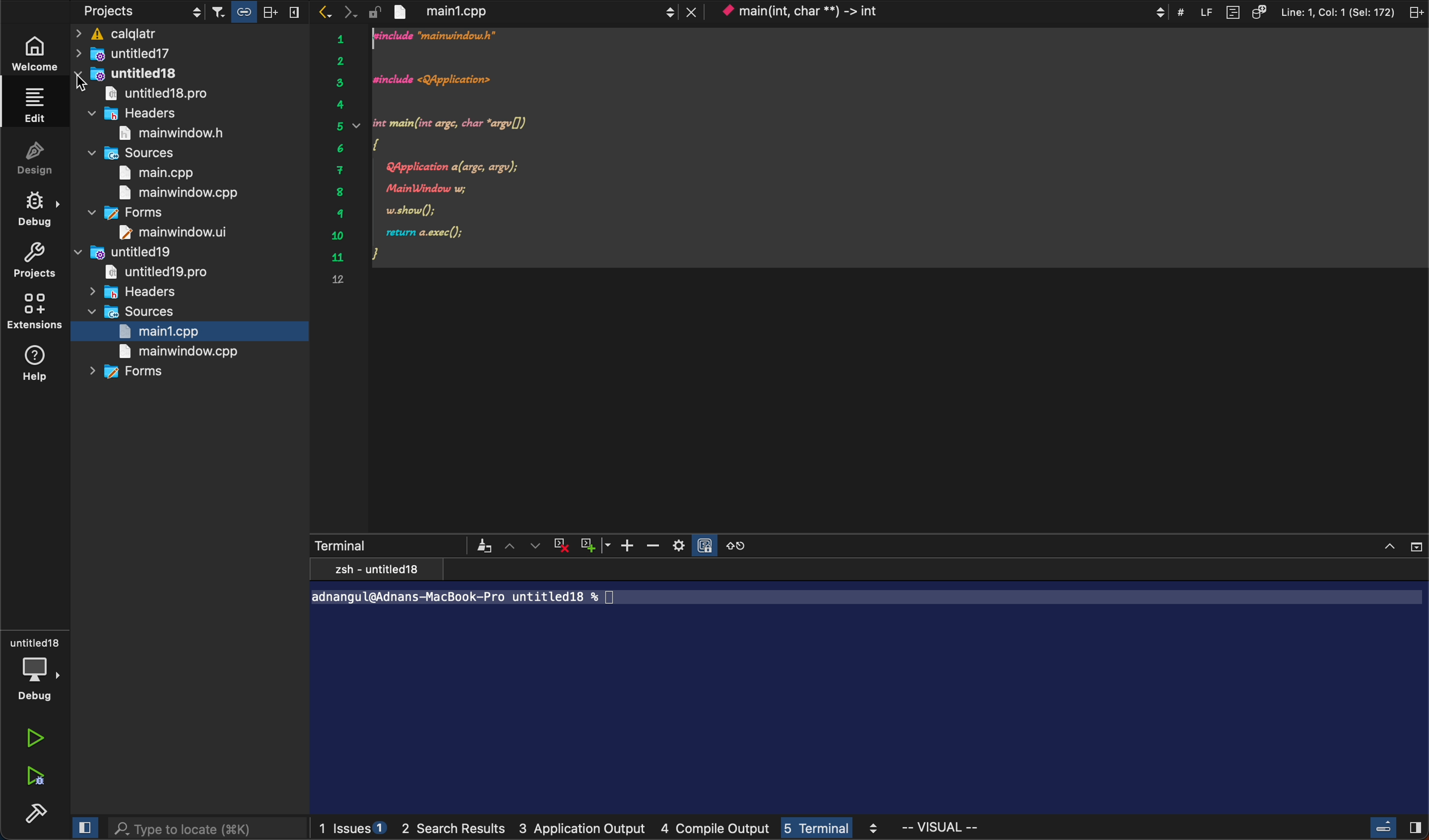 Image resolution: width=1429 pixels, height=840 pixels. What do you see at coordinates (132, 113) in the screenshot?
I see `headrers` at bounding box center [132, 113].